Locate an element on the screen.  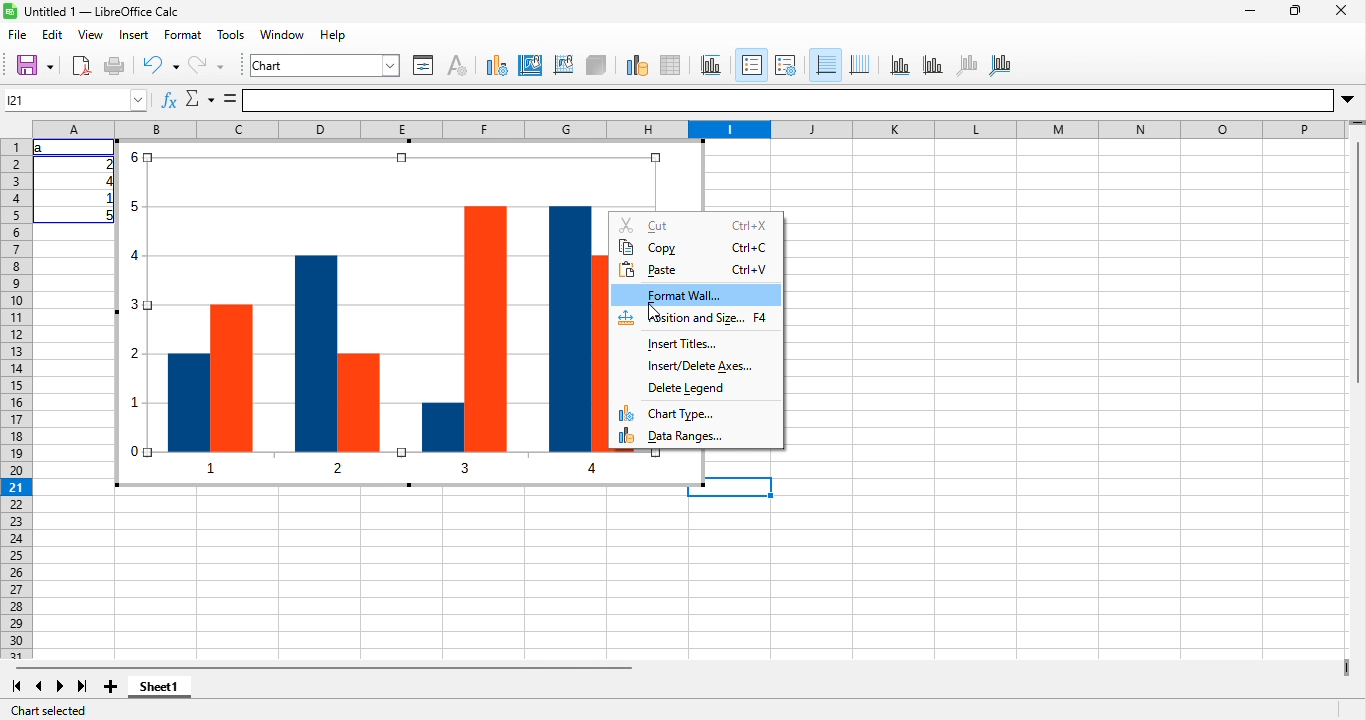
export directly as pdf is located at coordinates (81, 66).